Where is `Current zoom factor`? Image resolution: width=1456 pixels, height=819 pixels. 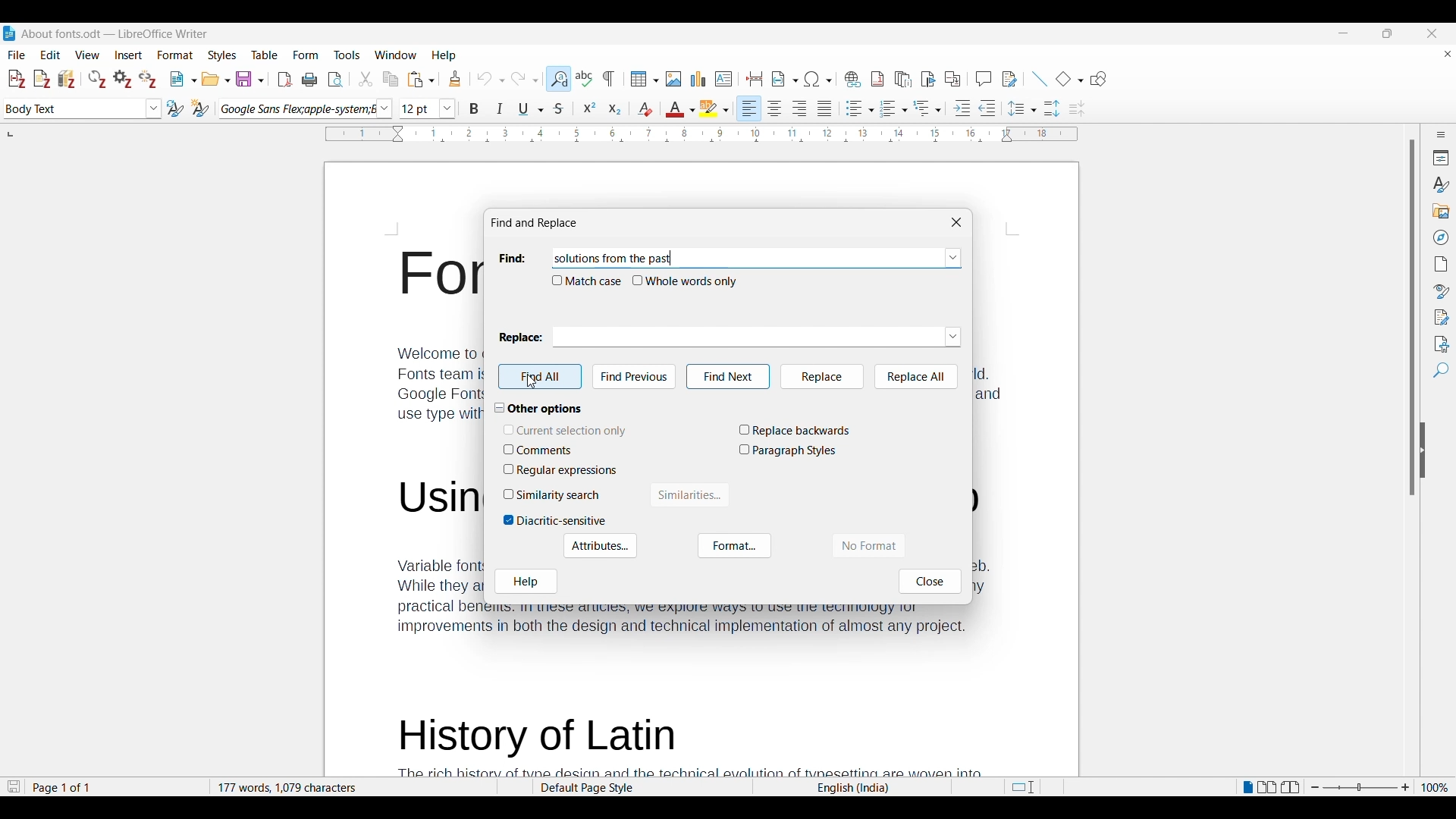 Current zoom factor is located at coordinates (1435, 788).